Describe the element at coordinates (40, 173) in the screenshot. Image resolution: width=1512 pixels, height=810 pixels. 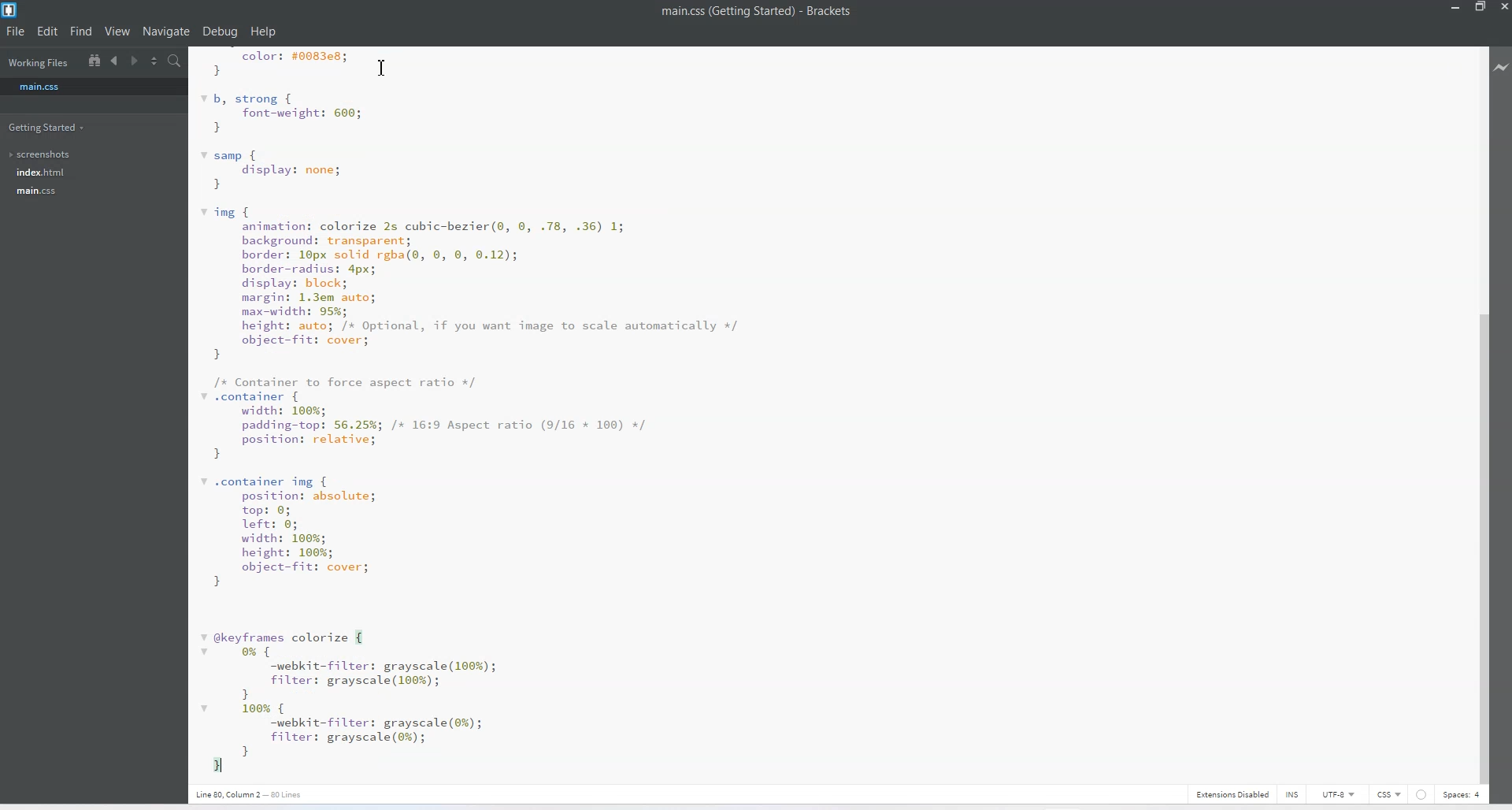
I see `index.html` at that location.